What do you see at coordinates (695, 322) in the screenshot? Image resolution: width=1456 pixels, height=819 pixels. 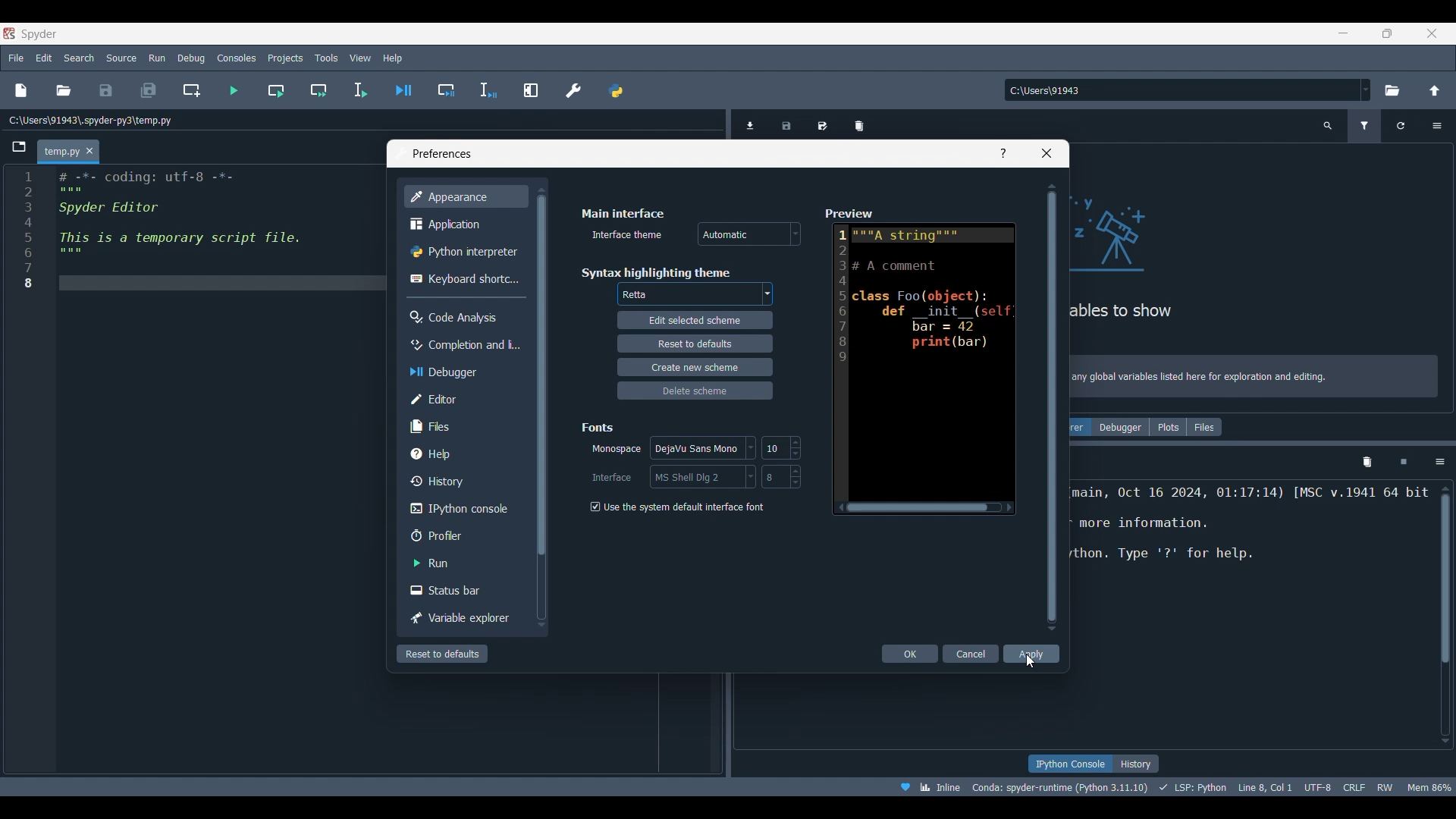 I see `edit selected theme` at bounding box center [695, 322].